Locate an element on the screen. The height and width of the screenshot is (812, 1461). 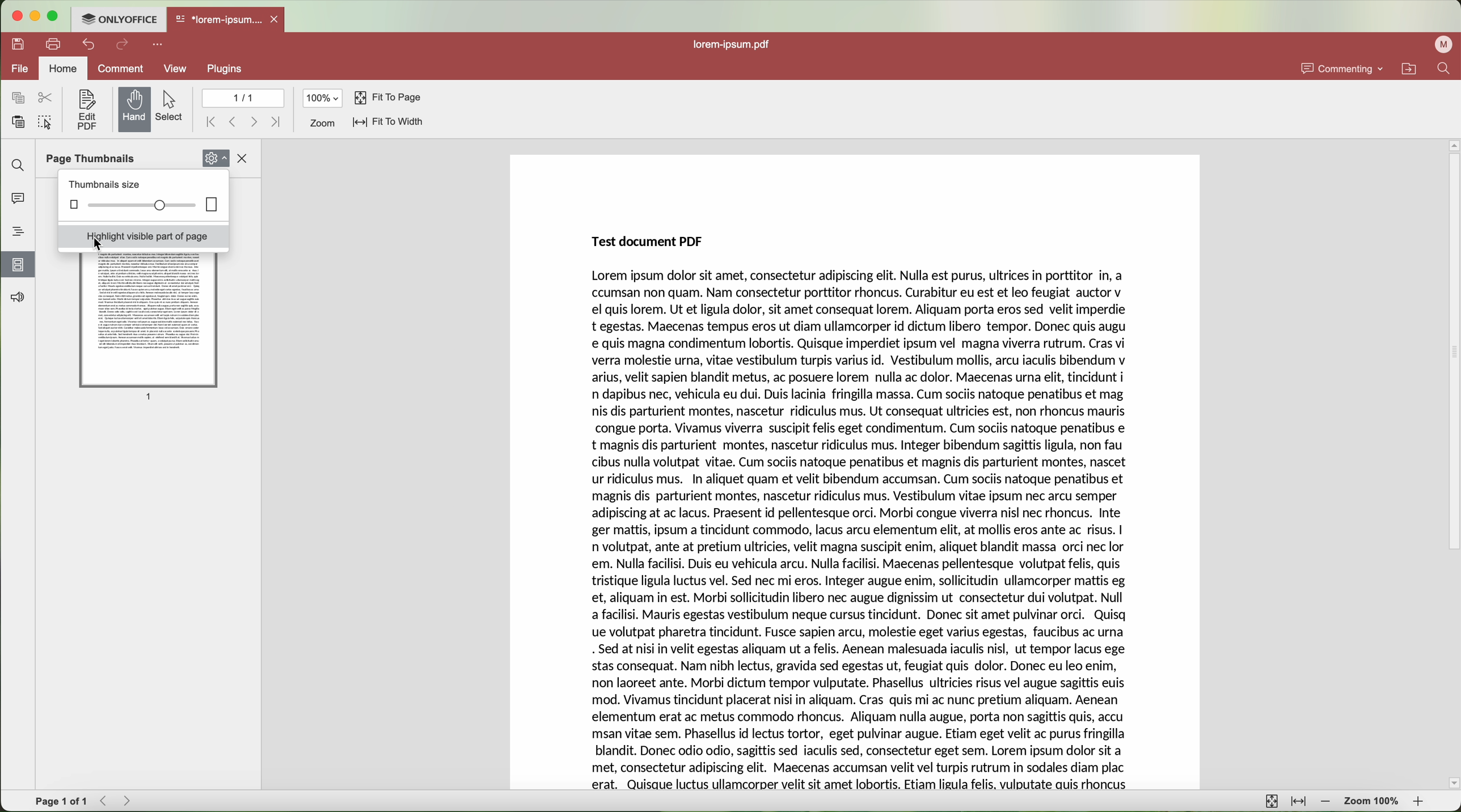
select all is located at coordinates (44, 123).